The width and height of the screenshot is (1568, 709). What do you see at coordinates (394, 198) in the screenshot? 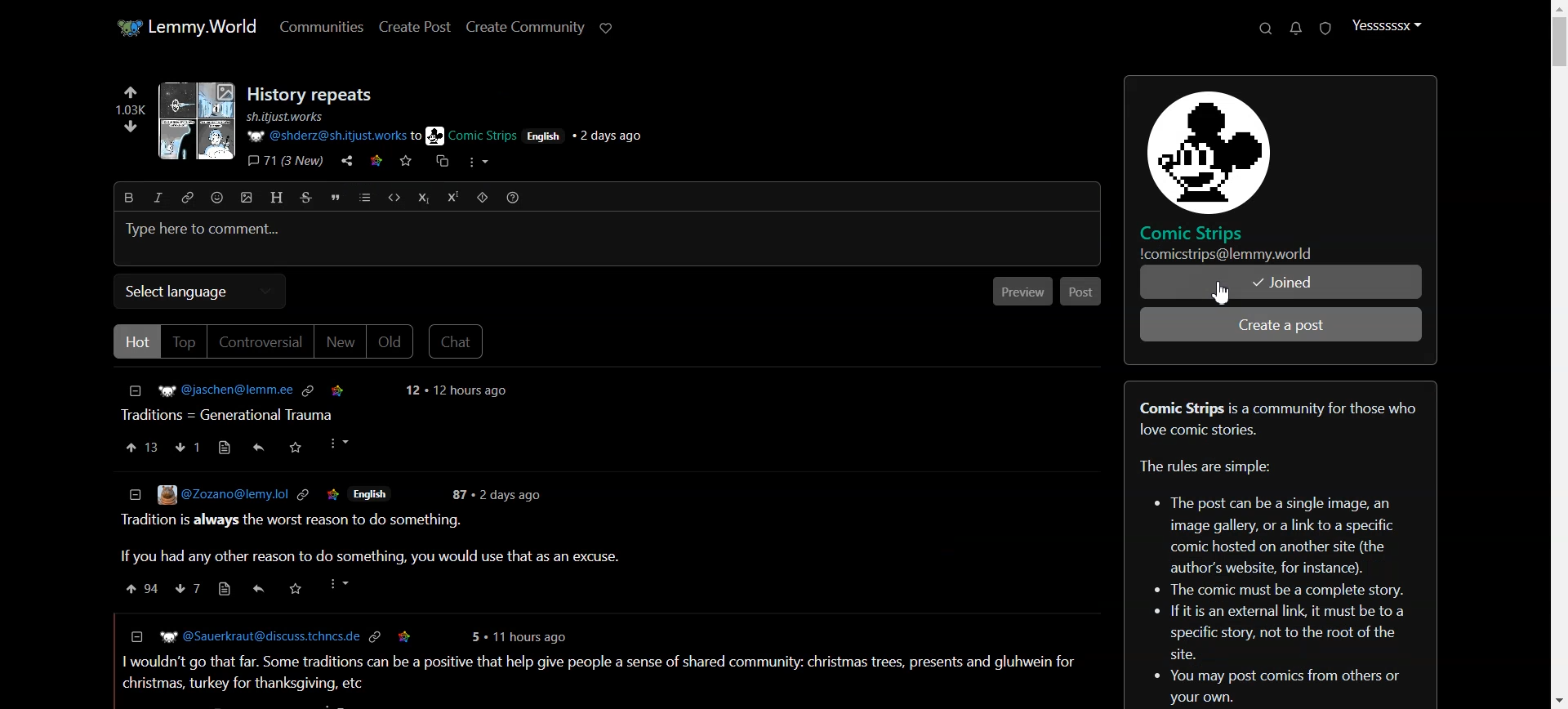
I see `Code` at bounding box center [394, 198].